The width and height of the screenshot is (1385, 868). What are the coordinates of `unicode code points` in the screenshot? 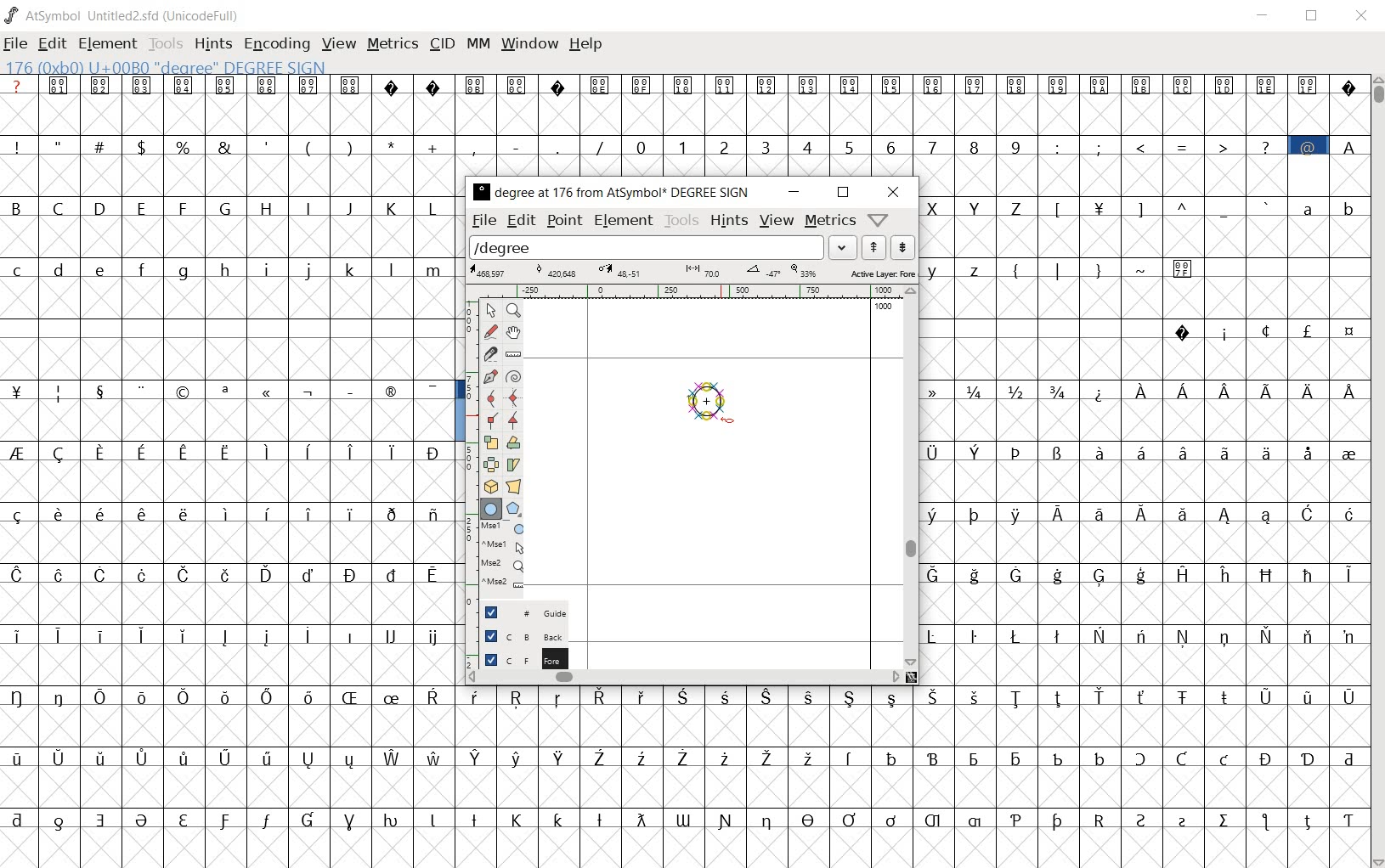 It's located at (958, 85).